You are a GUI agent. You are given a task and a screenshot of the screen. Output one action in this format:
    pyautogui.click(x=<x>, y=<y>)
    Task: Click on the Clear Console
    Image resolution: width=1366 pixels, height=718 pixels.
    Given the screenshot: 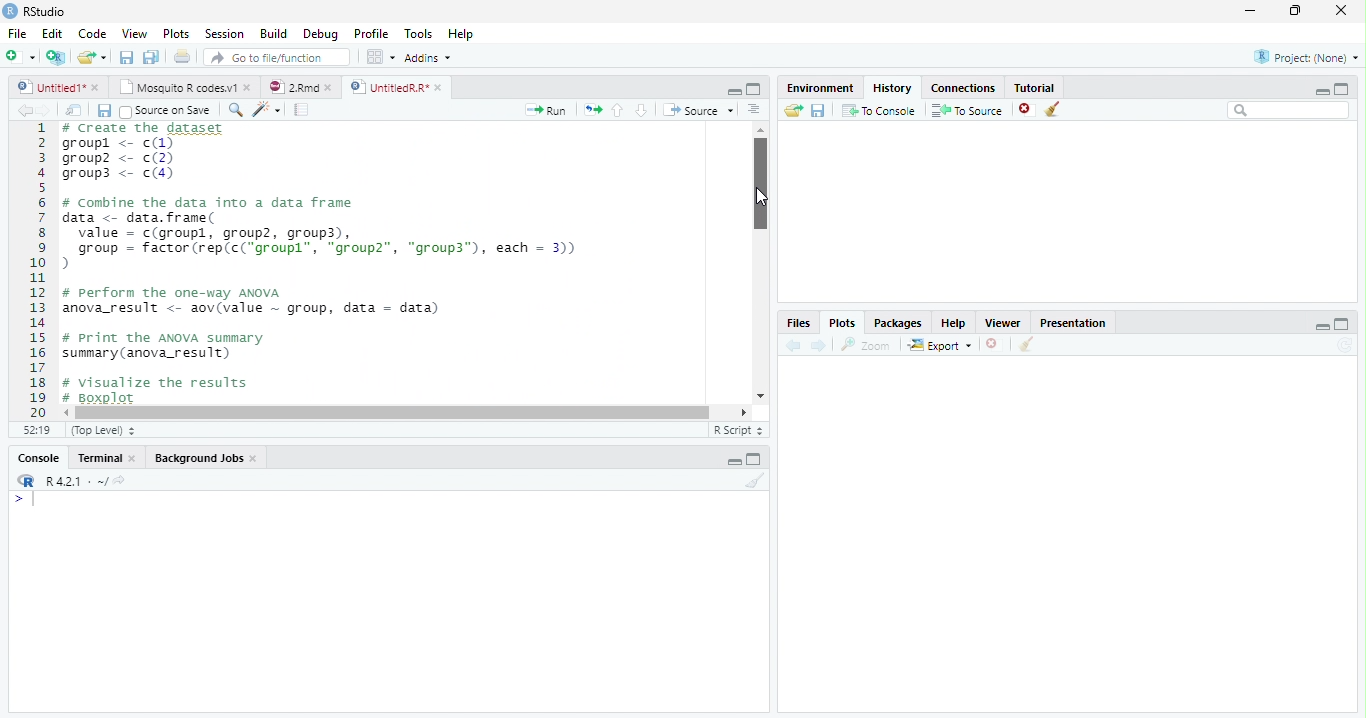 What is the action you would take?
    pyautogui.click(x=1024, y=345)
    